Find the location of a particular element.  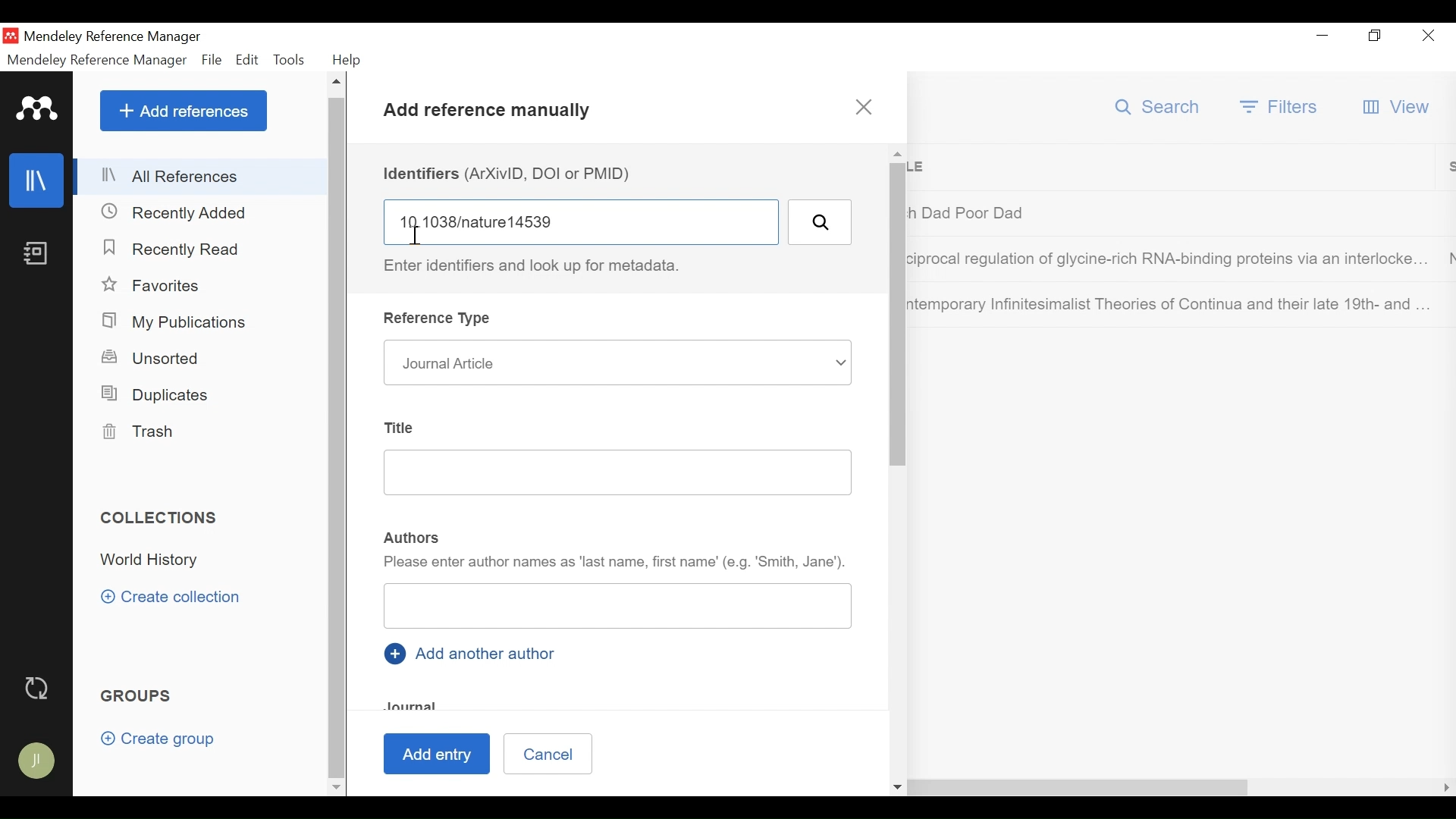

Trash is located at coordinates (144, 431).